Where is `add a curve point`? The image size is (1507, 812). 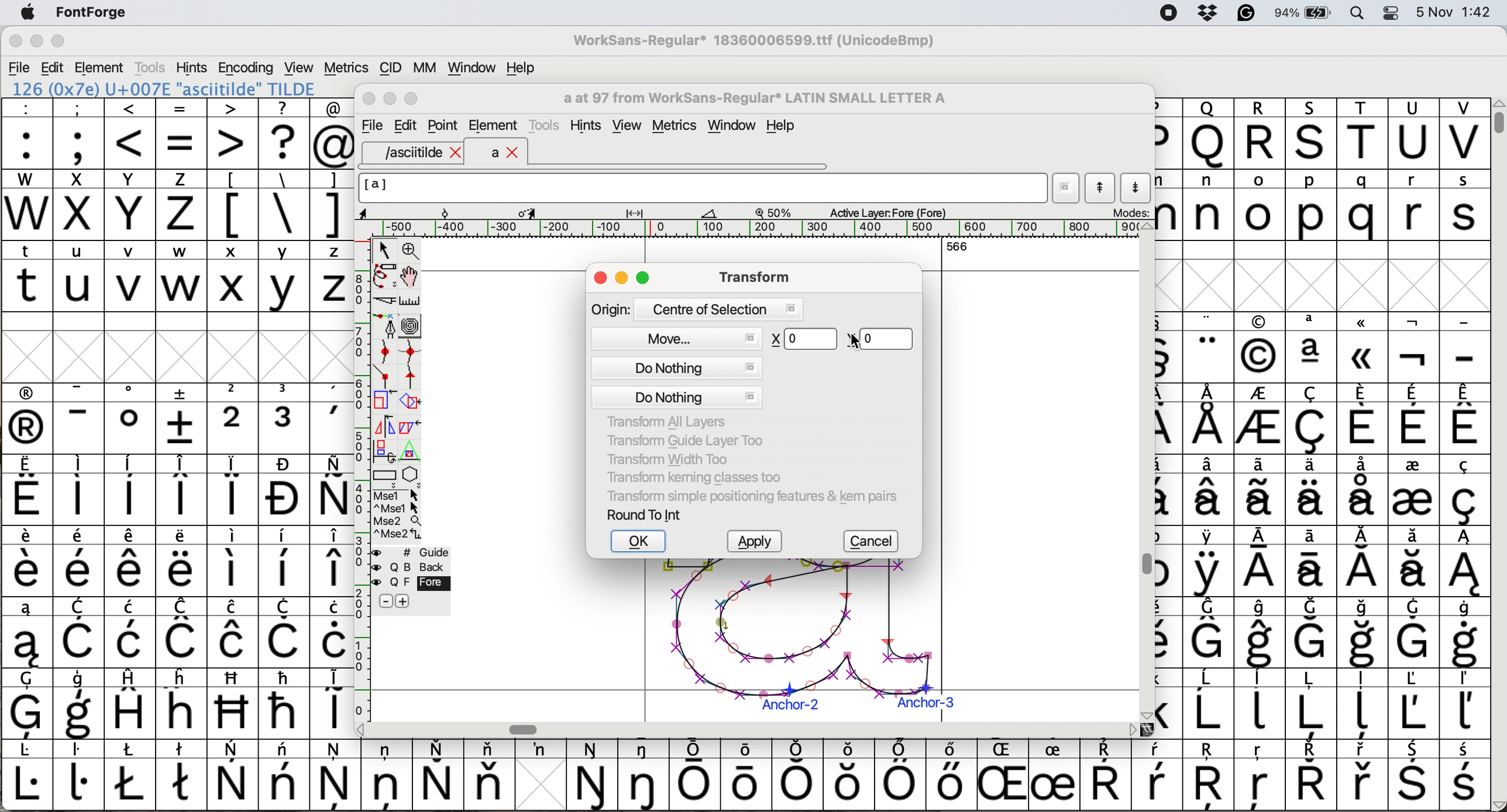
add a curve point is located at coordinates (386, 352).